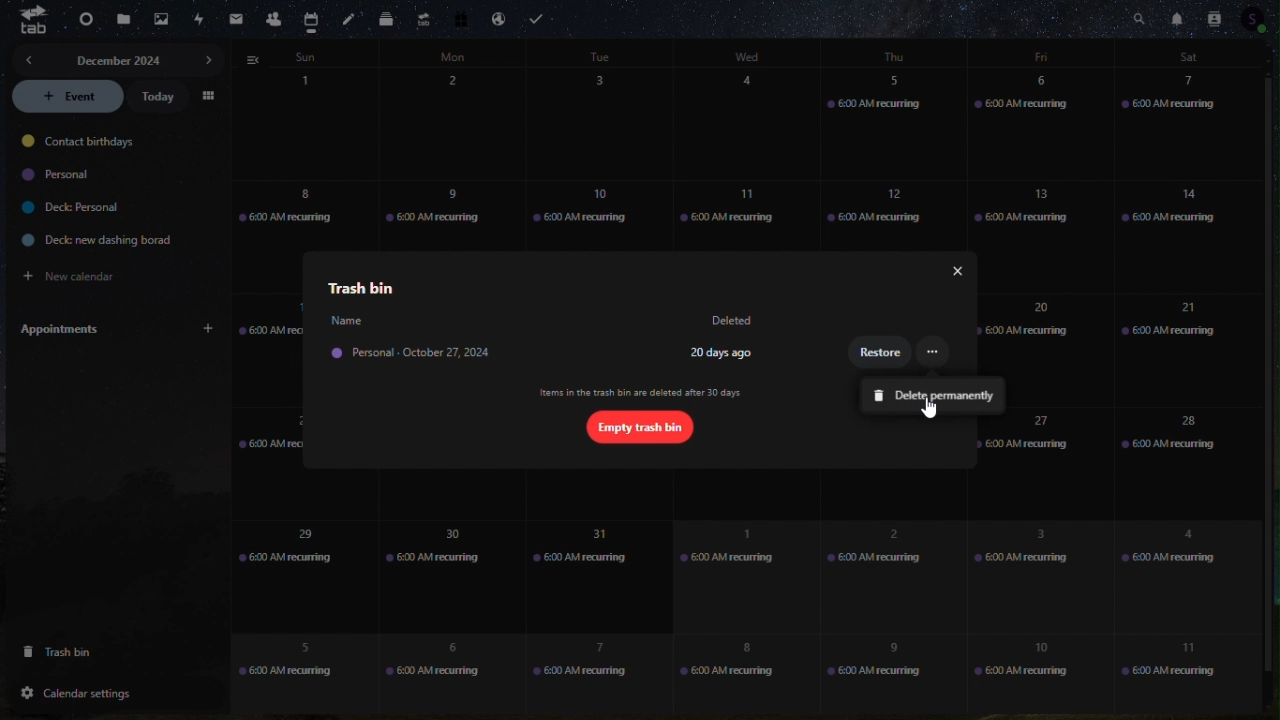  Describe the element at coordinates (499, 15) in the screenshot. I see `Email hosting` at that location.